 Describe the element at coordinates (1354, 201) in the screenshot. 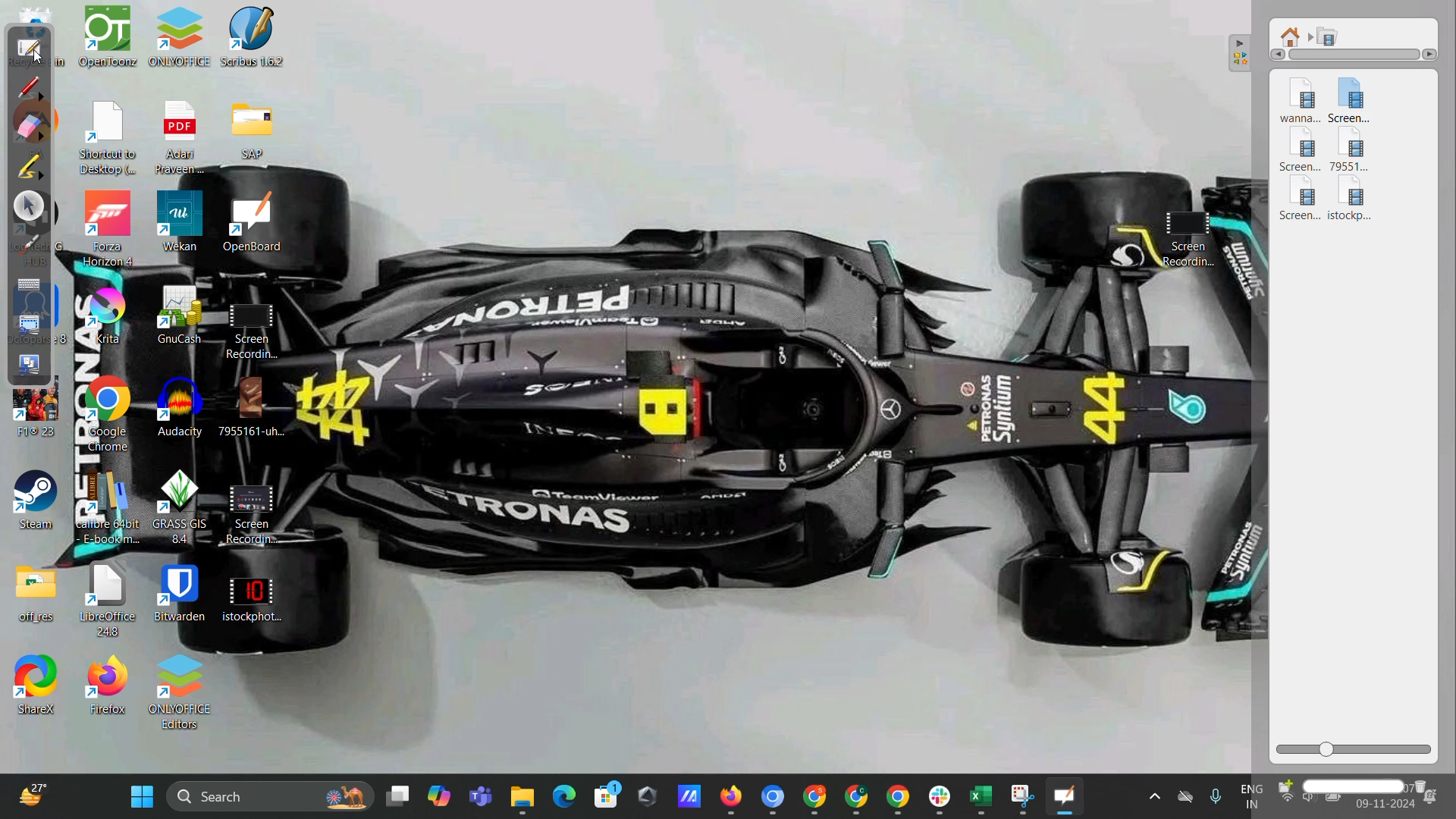

I see `video added` at that location.